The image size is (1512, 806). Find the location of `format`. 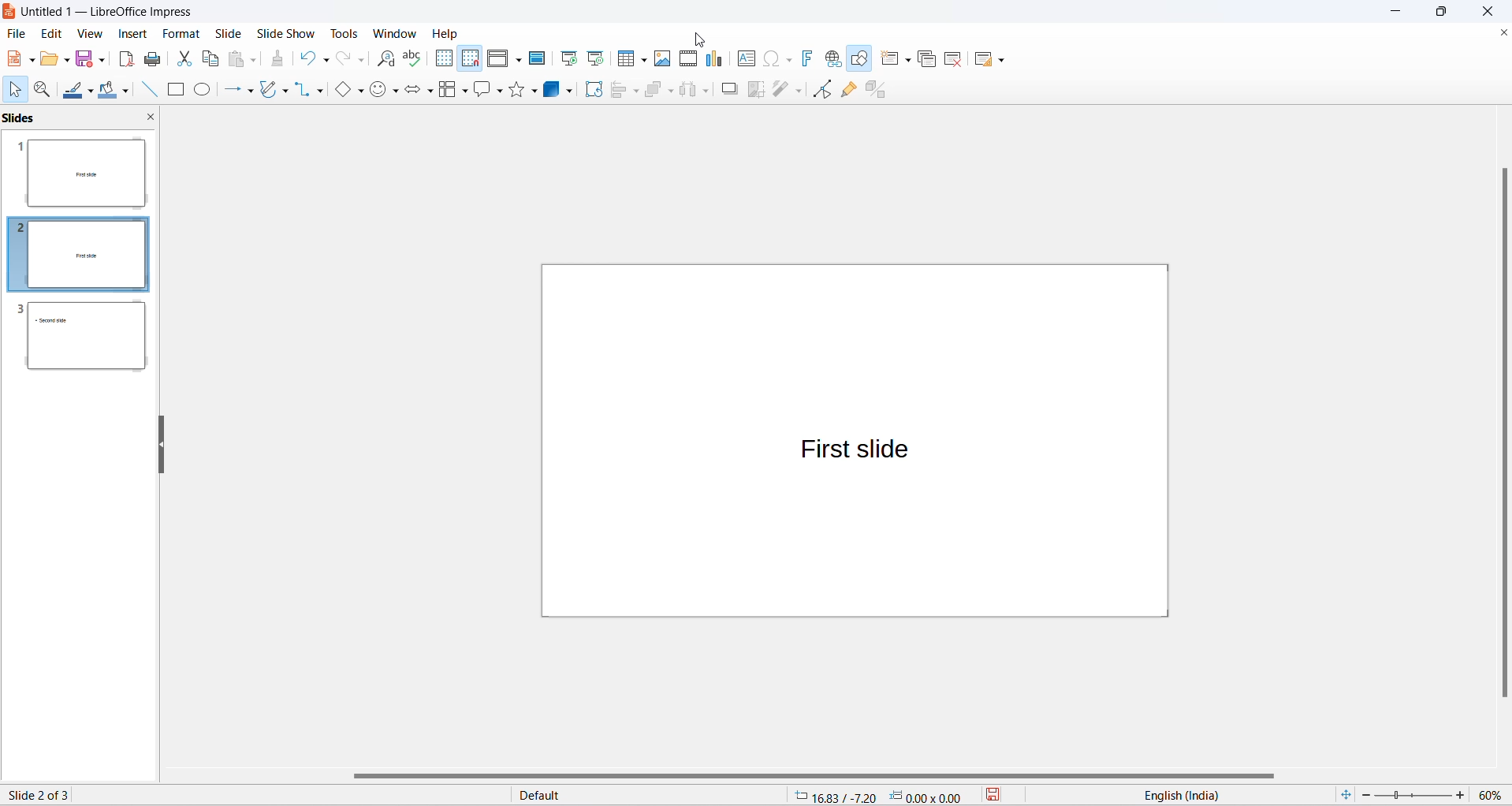

format is located at coordinates (183, 35).